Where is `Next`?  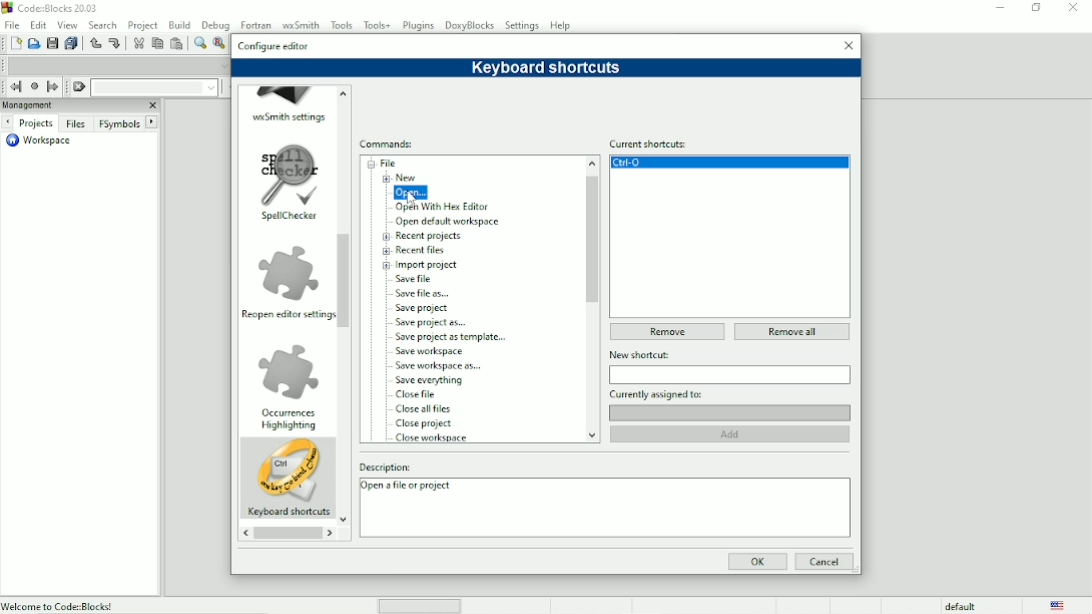 Next is located at coordinates (152, 121).